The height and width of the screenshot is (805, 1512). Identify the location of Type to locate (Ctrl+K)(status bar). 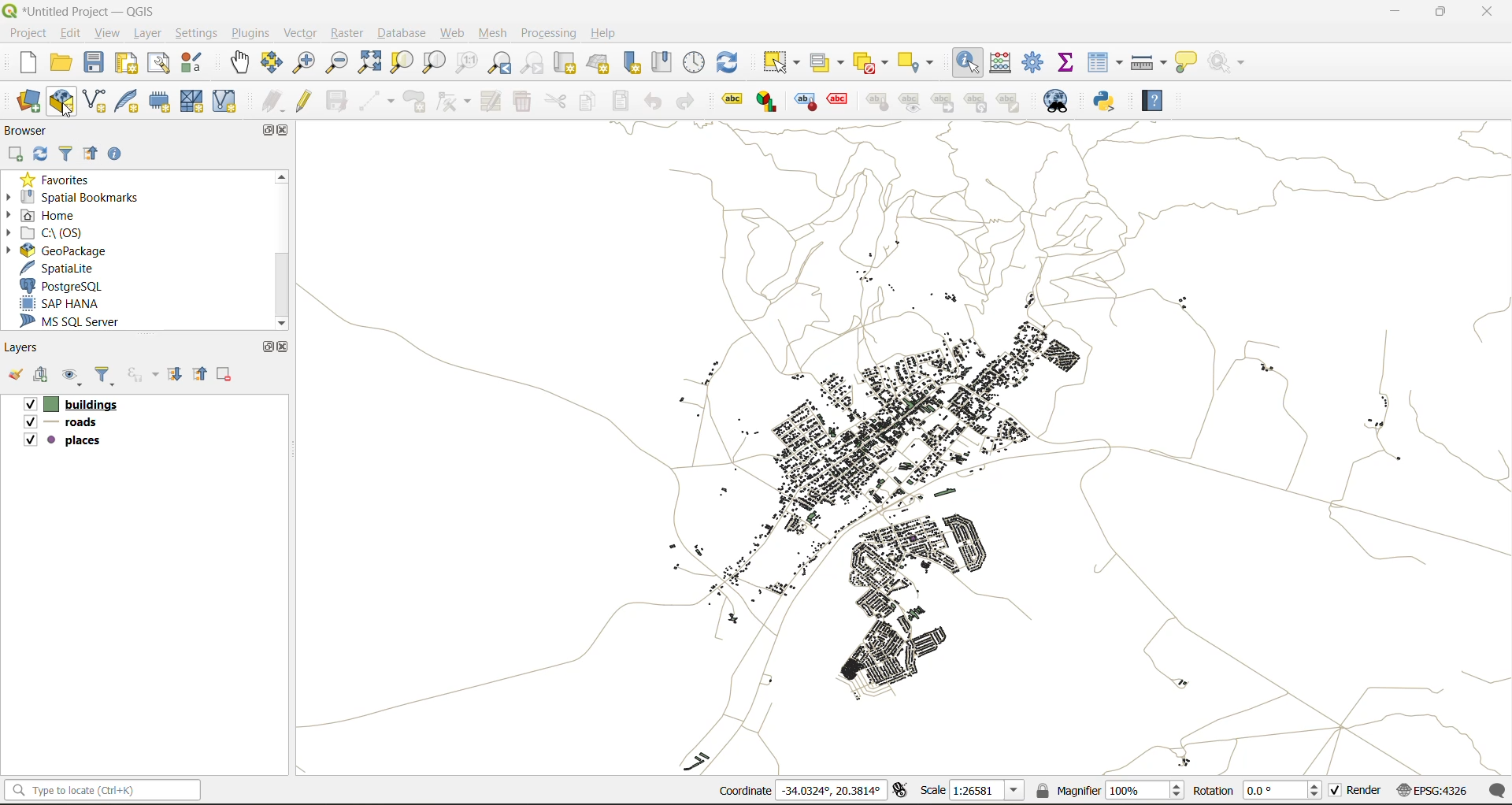
(103, 793).